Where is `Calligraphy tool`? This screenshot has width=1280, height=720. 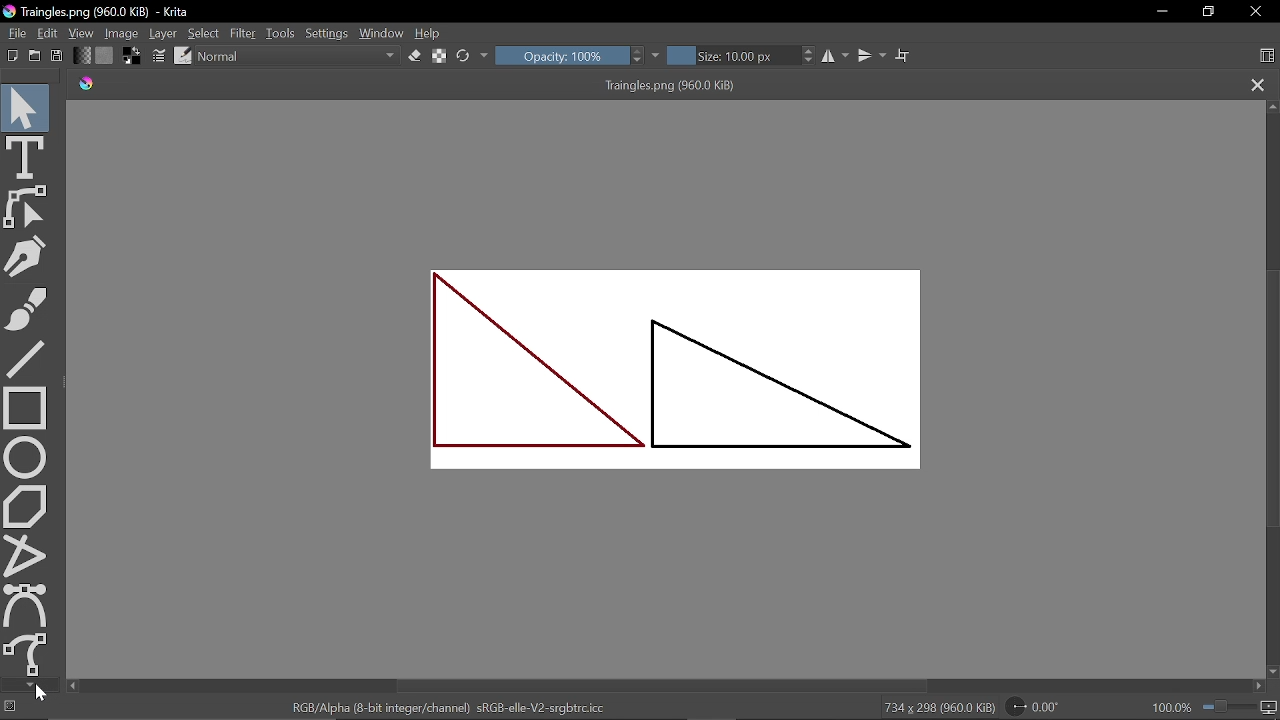
Calligraphy tool is located at coordinates (29, 256).